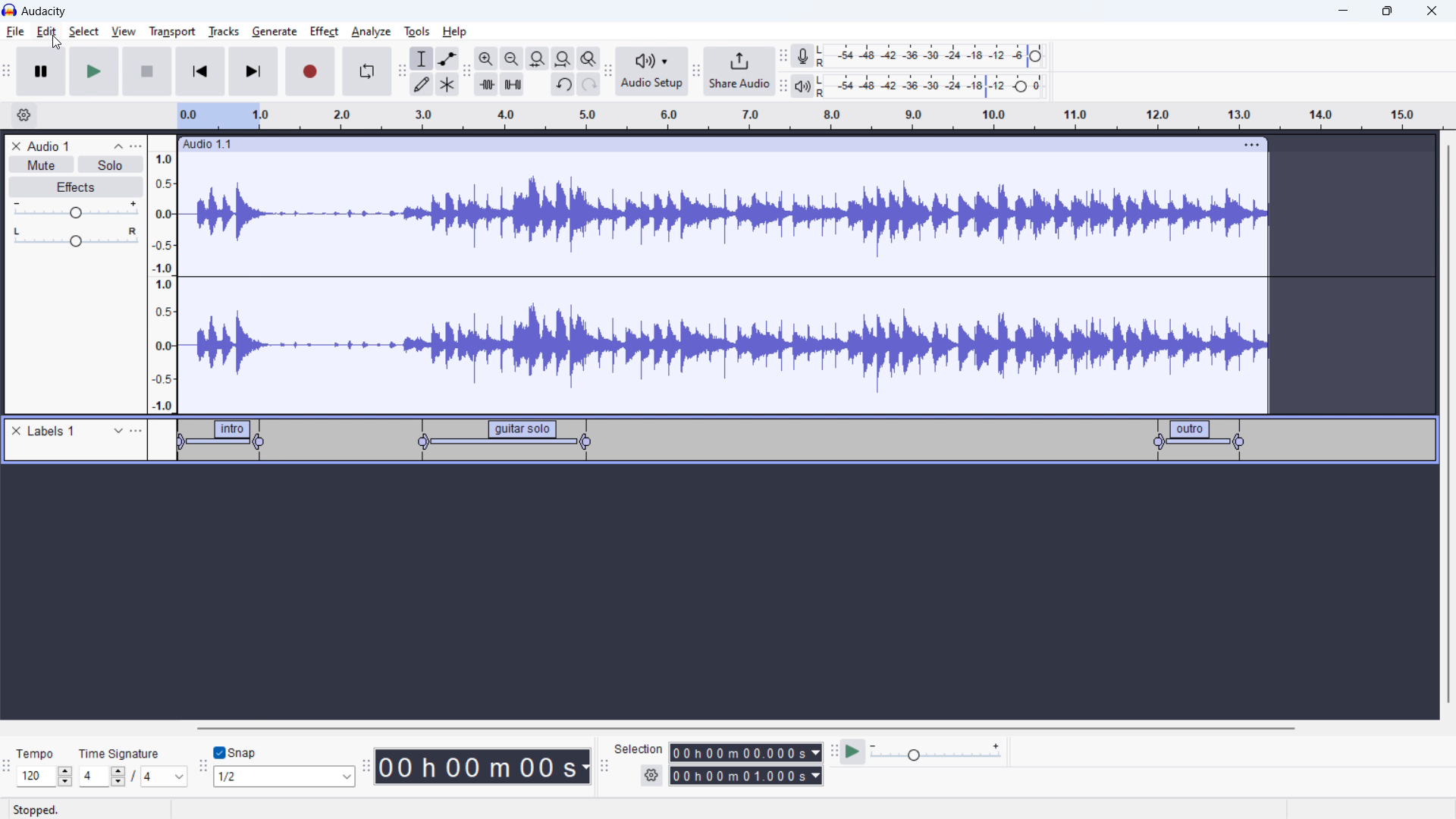 The image size is (1456, 819). I want to click on mute, so click(41, 165).